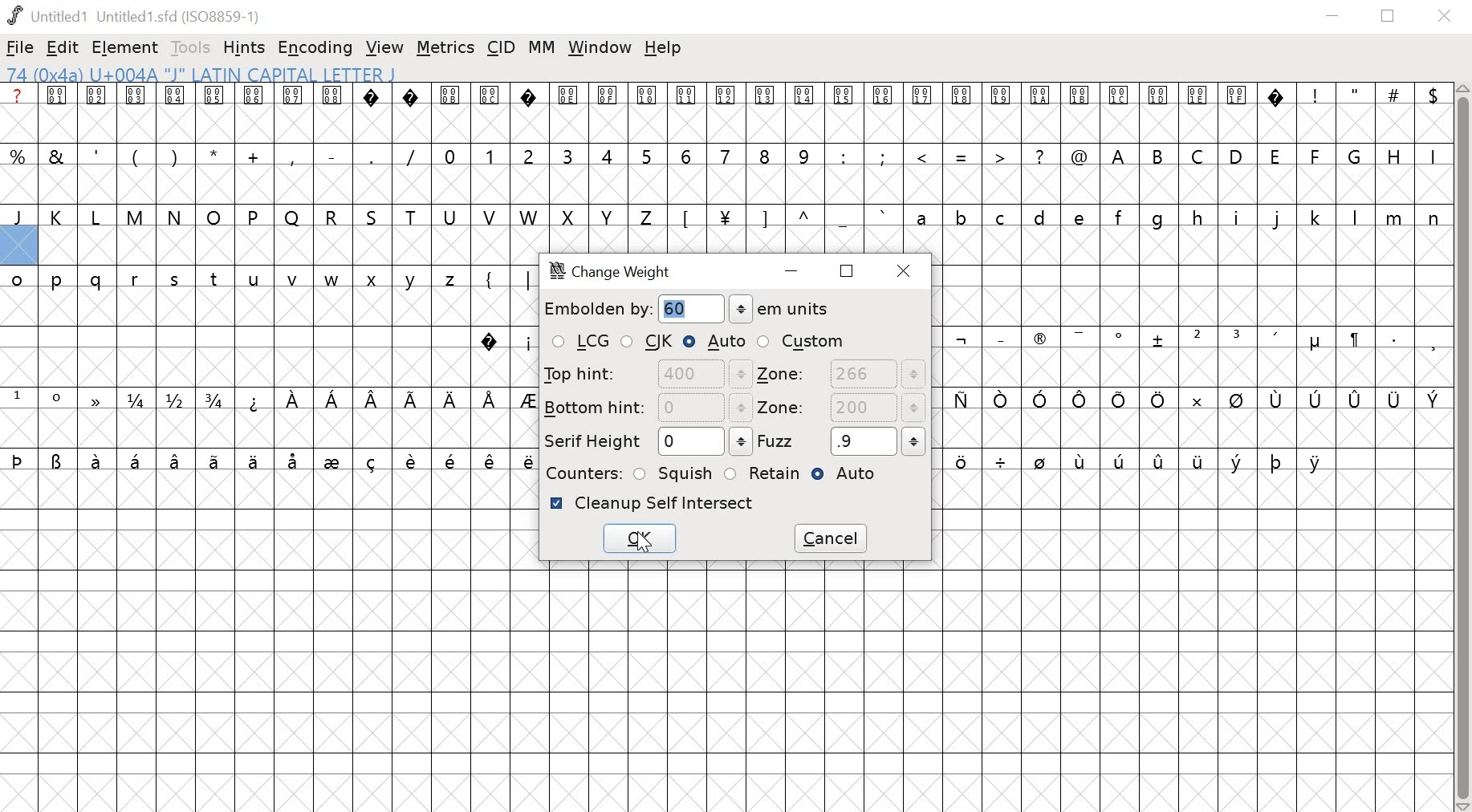 The image size is (1472, 812). What do you see at coordinates (1197, 340) in the screenshot?
I see `symbols` at bounding box center [1197, 340].